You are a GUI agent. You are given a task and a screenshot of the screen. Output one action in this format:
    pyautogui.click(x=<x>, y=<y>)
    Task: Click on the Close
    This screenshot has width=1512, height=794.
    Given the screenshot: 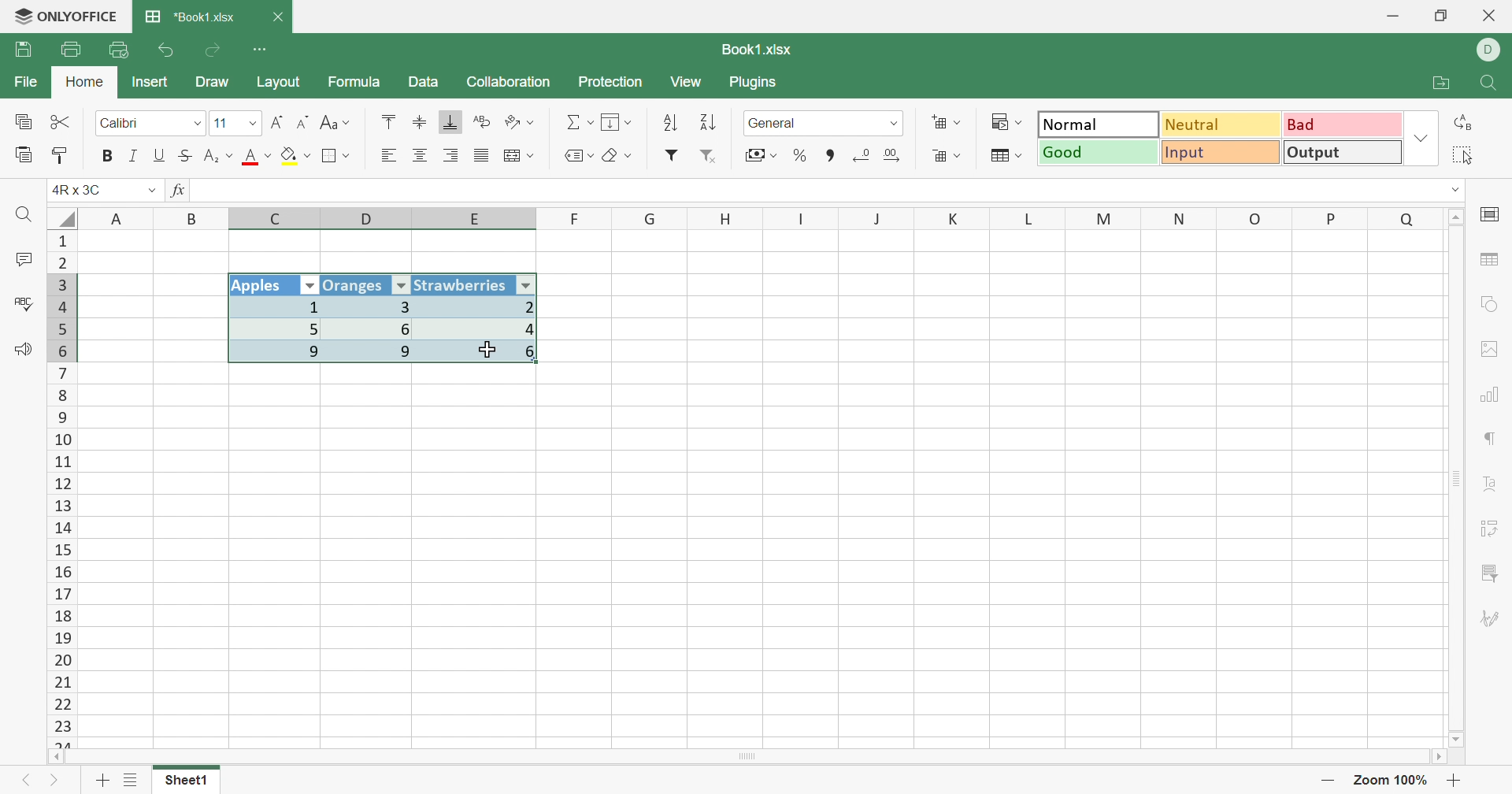 What is the action you would take?
    pyautogui.click(x=1490, y=17)
    